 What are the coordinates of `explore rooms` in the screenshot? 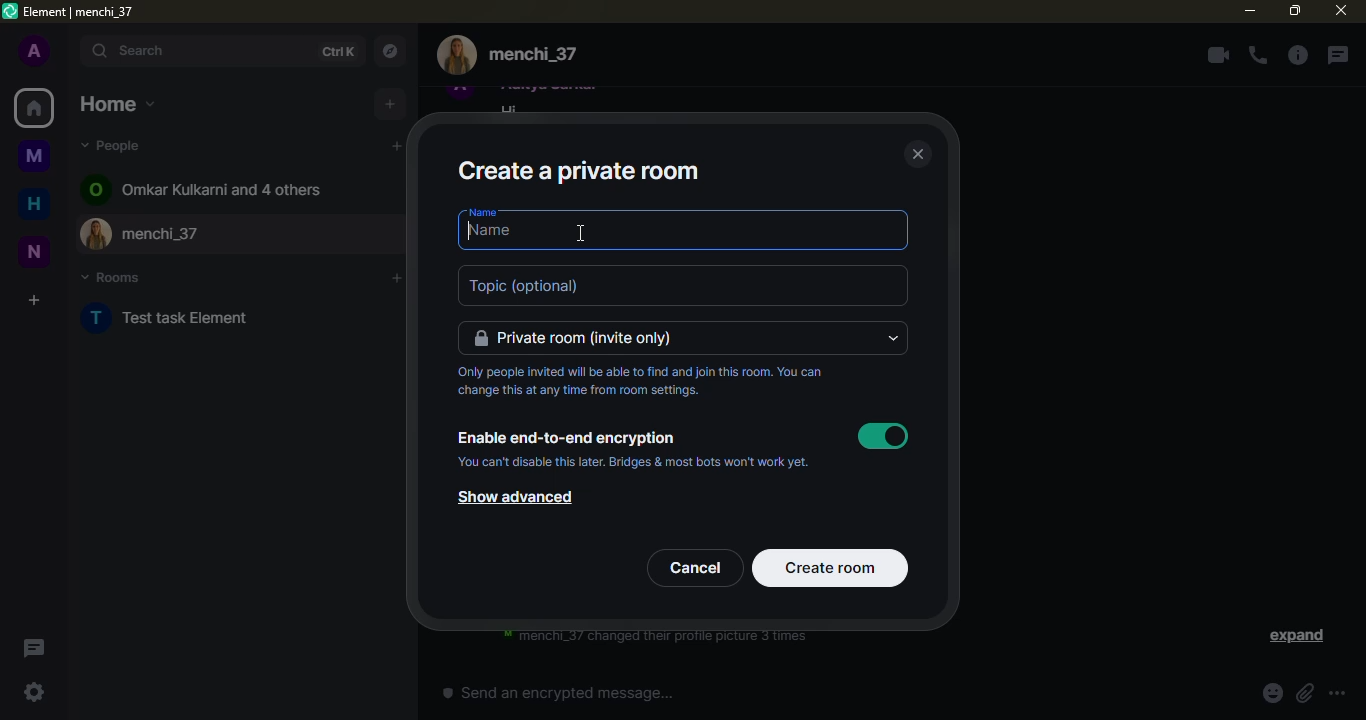 It's located at (389, 51).